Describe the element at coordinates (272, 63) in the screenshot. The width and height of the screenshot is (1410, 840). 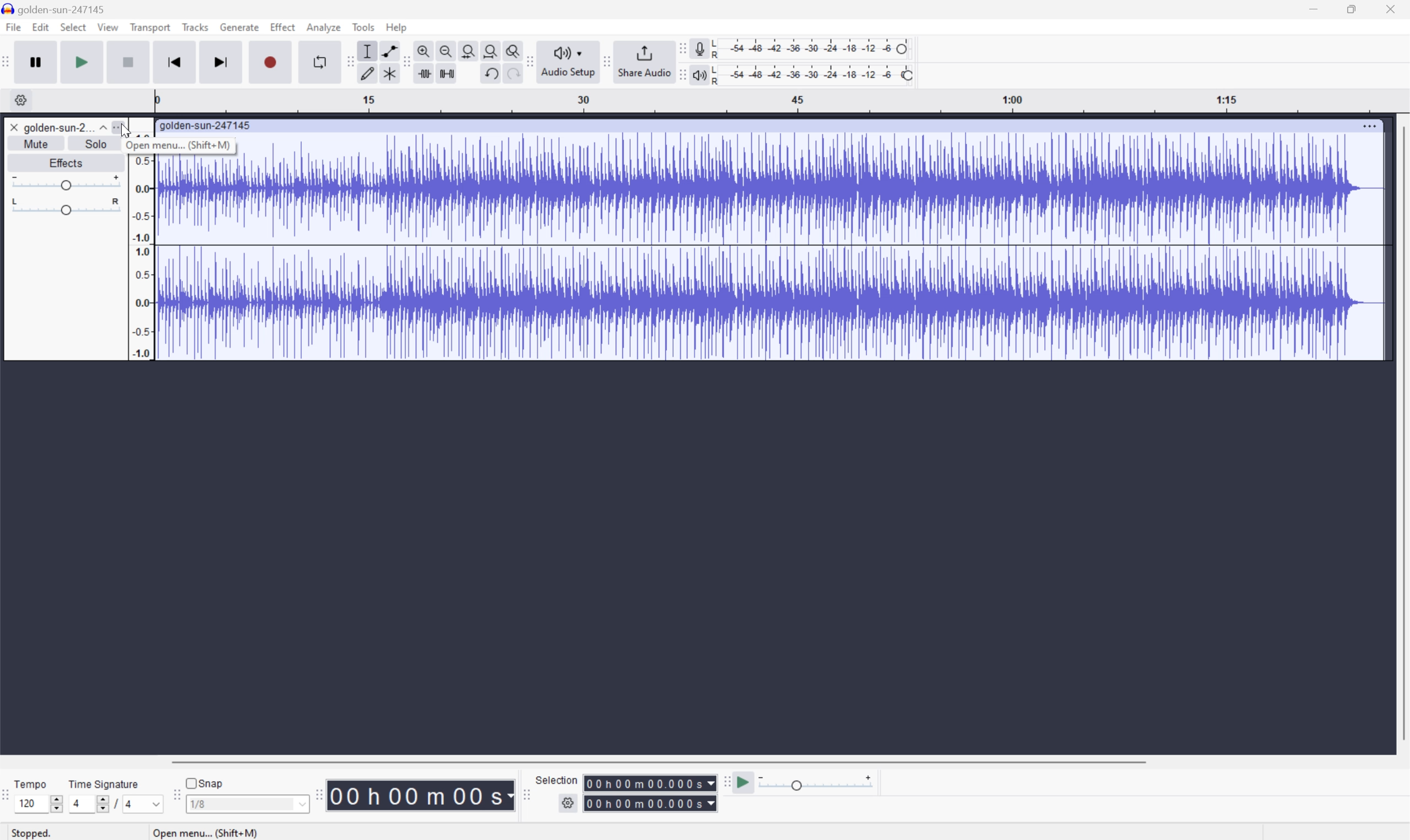
I see `Record / Record new track` at that location.